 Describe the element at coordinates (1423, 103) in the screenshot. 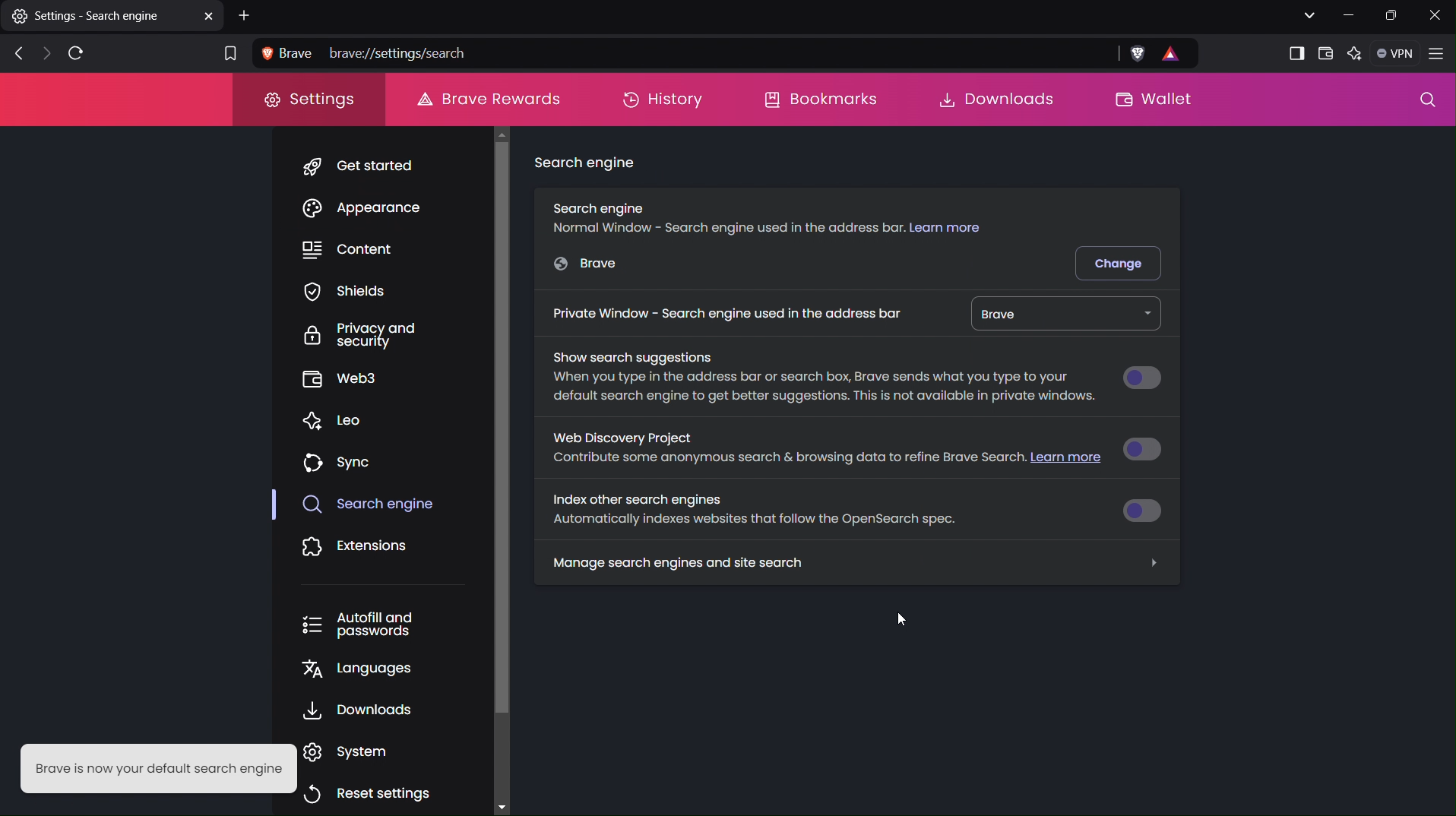

I see `Search` at that location.